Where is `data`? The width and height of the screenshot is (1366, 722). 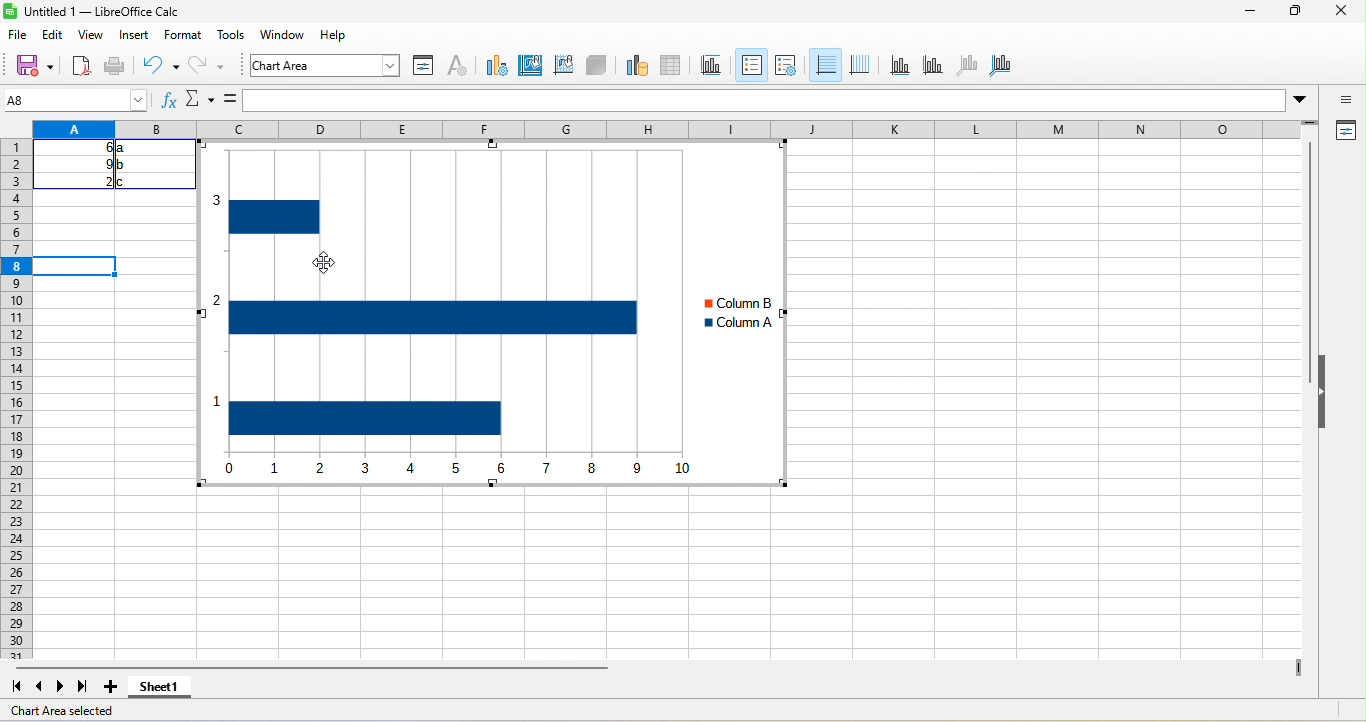
data is located at coordinates (323, 34).